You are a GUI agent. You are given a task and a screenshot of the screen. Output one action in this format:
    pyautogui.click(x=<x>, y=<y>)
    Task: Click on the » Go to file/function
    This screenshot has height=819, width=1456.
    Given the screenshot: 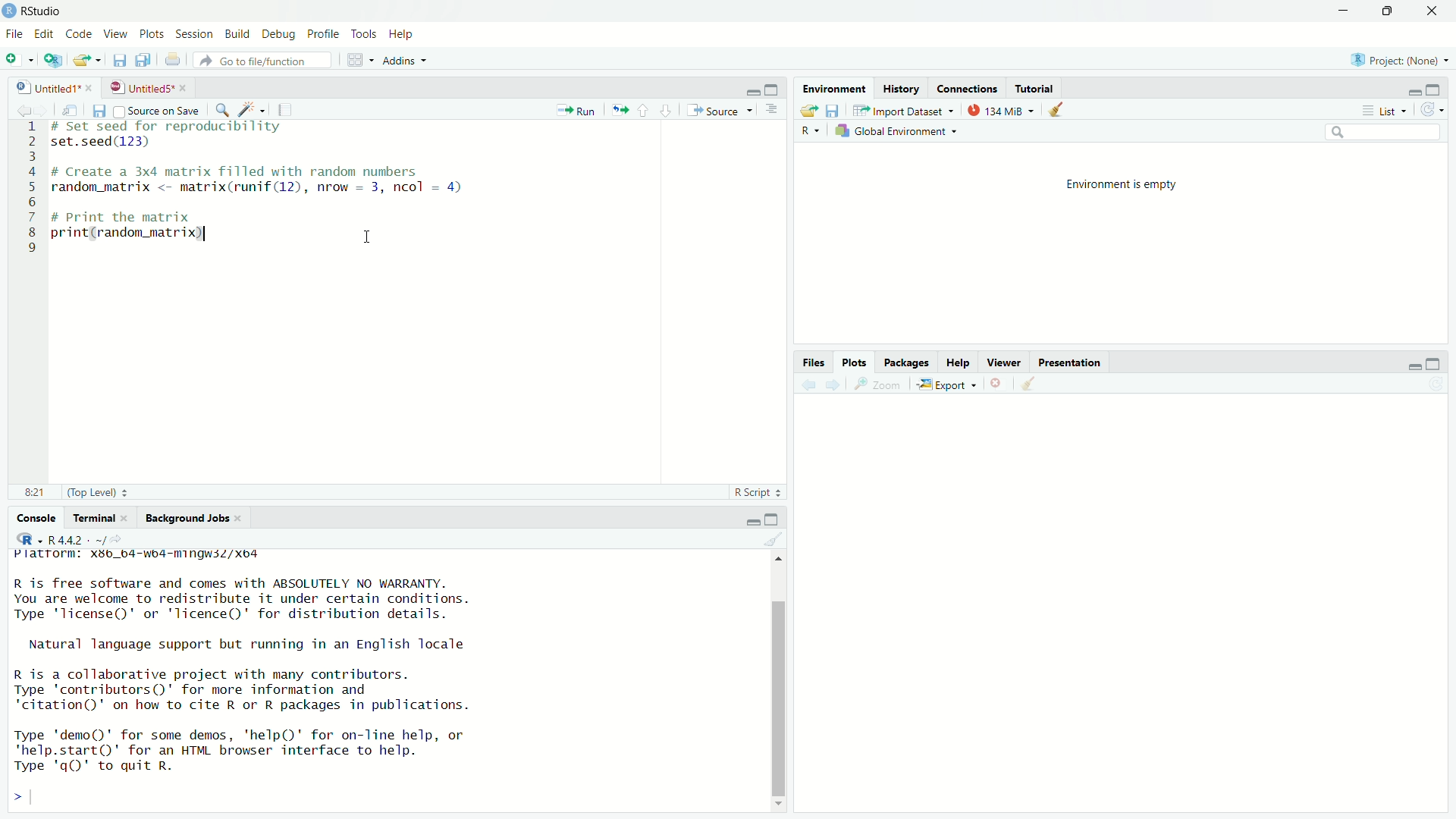 What is the action you would take?
    pyautogui.click(x=255, y=60)
    